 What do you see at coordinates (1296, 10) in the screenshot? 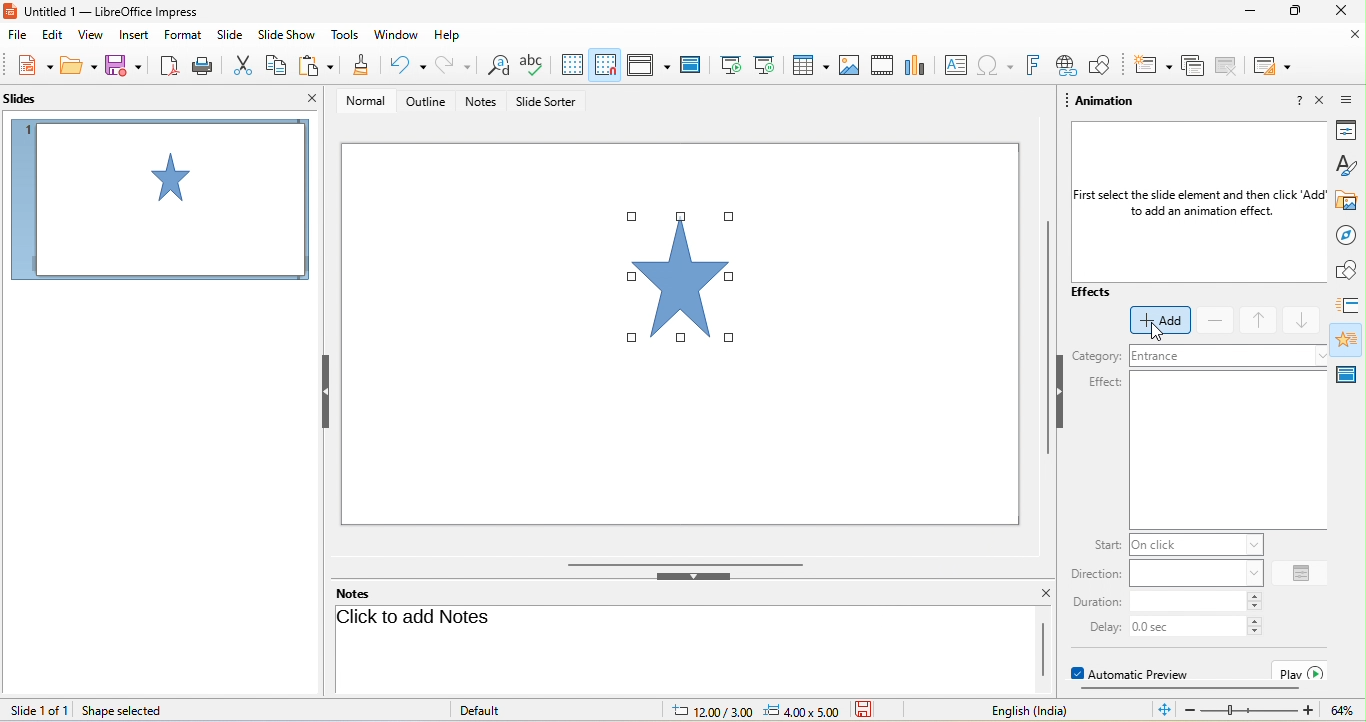
I see `maximize` at bounding box center [1296, 10].